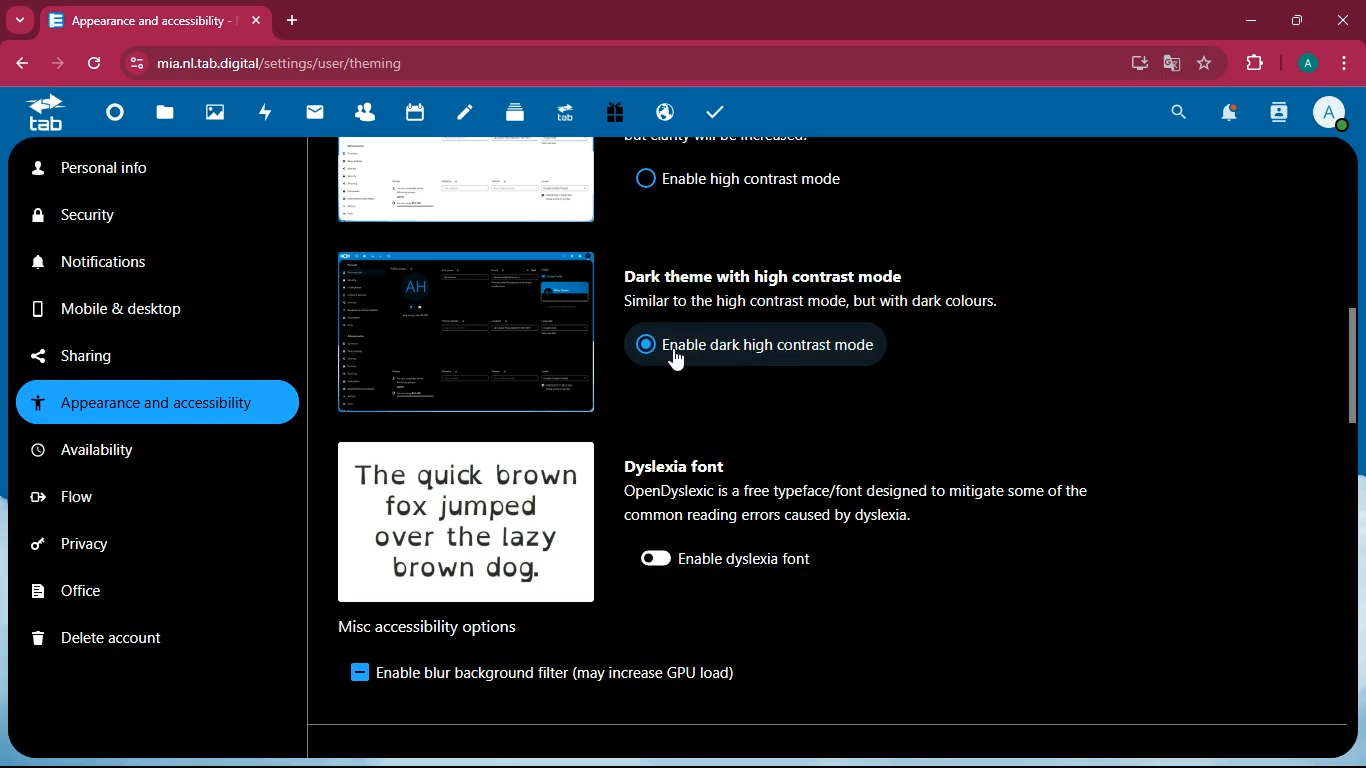  What do you see at coordinates (219, 111) in the screenshot?
I see `images` at bounding box center [219, 111].